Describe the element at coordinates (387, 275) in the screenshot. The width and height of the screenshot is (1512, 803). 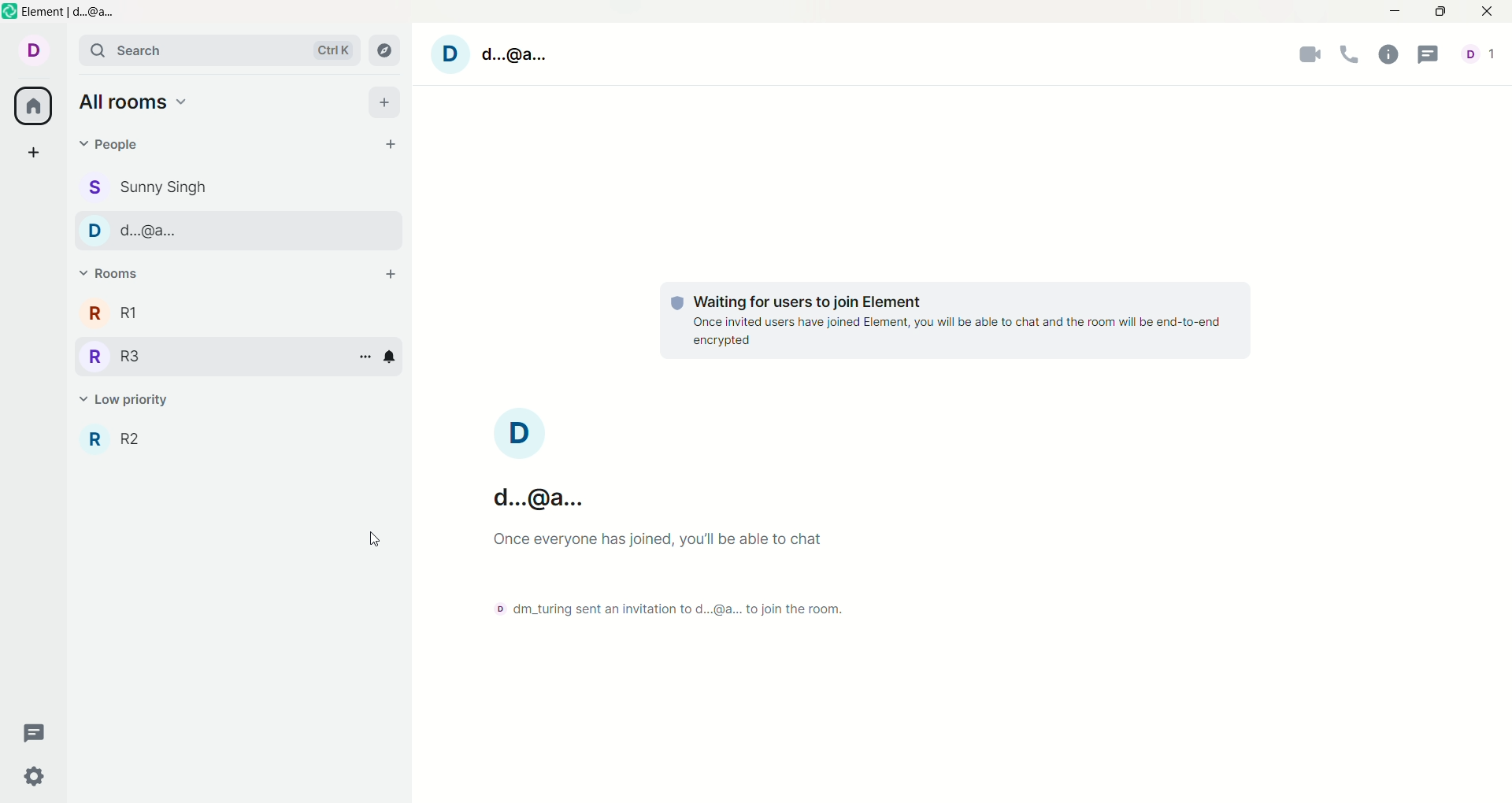
I see `add` at that location.